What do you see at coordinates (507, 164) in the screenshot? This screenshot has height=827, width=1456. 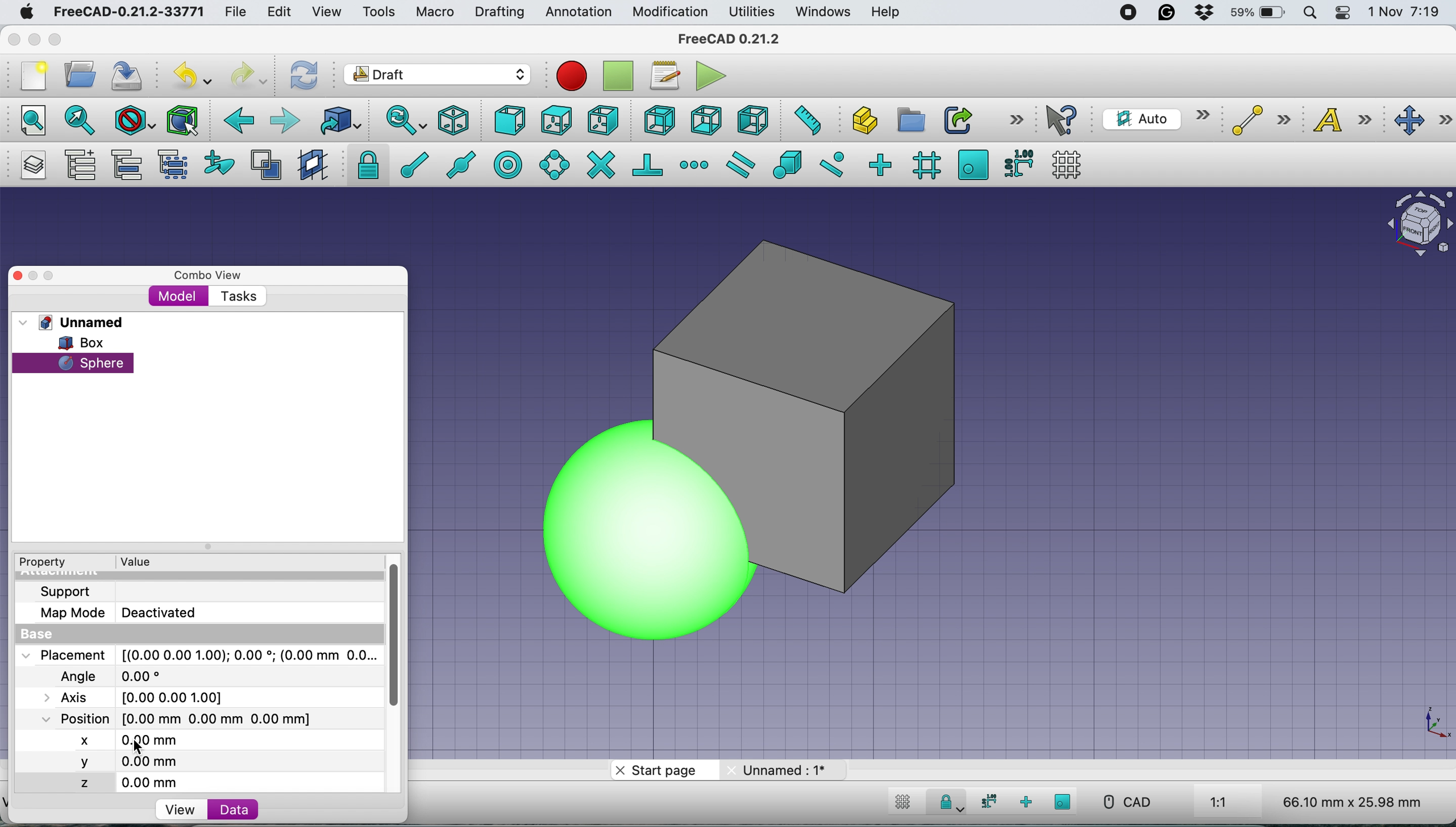 I see `snap center` at bounding box center [507, 164].